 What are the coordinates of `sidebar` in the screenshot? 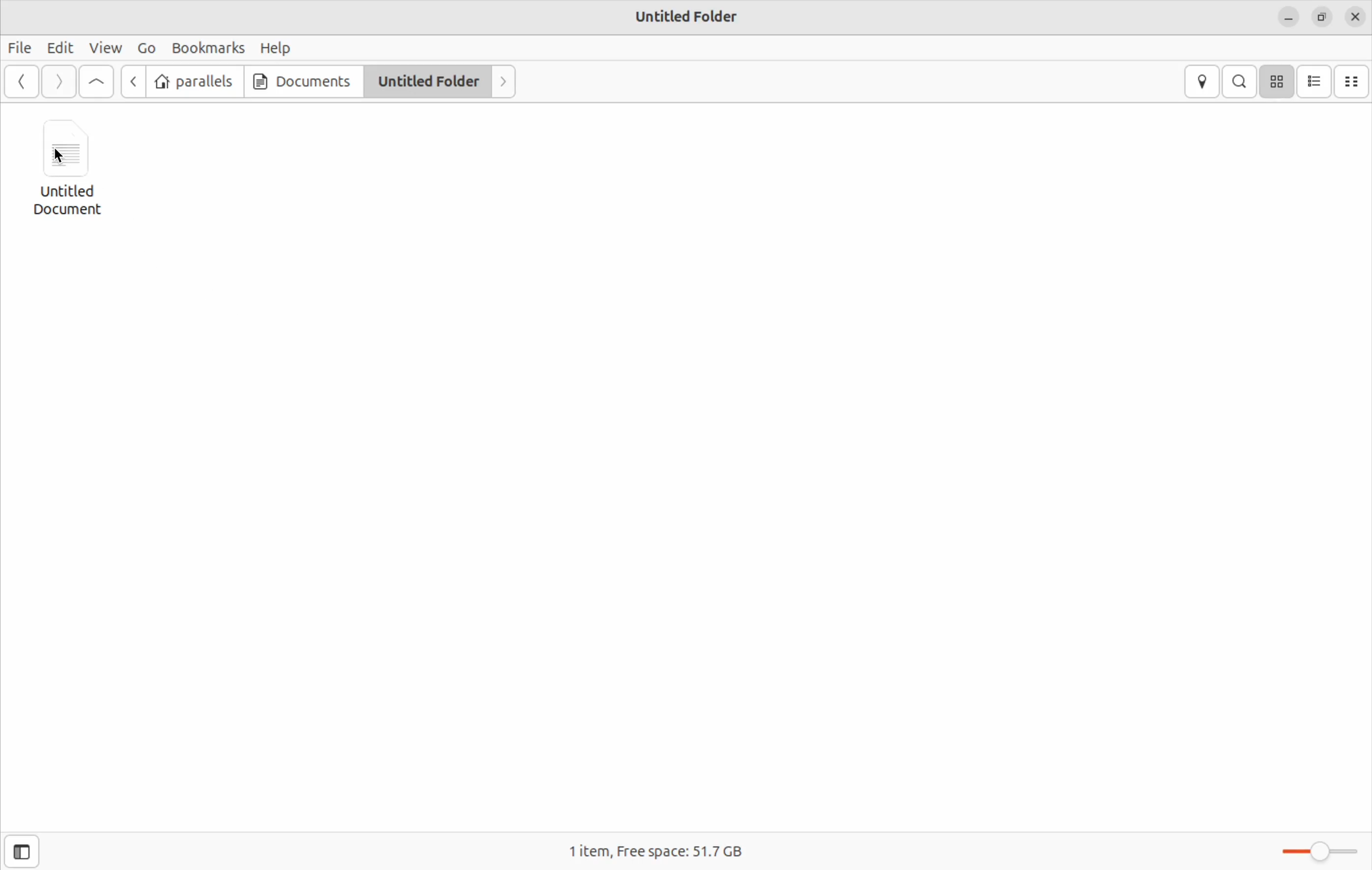 It's located at (29, 844).